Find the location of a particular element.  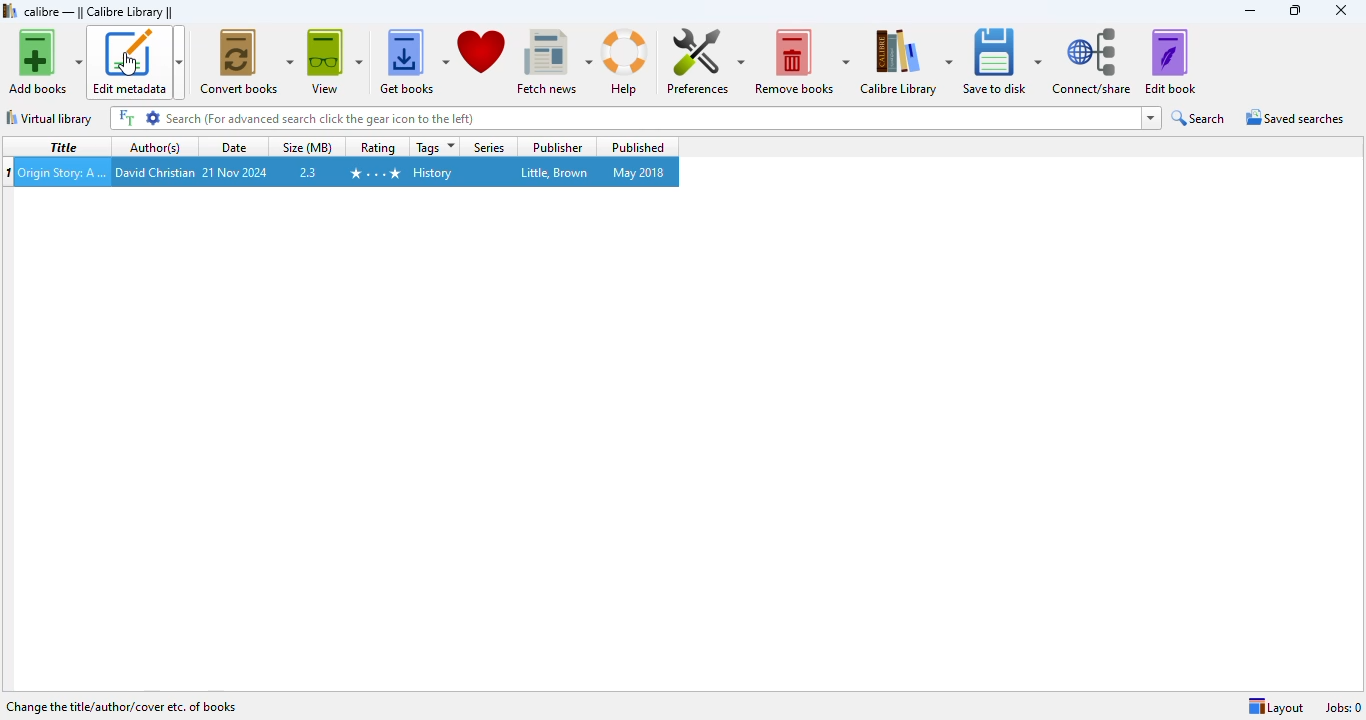

layout is located at coordinates (1276, 706).